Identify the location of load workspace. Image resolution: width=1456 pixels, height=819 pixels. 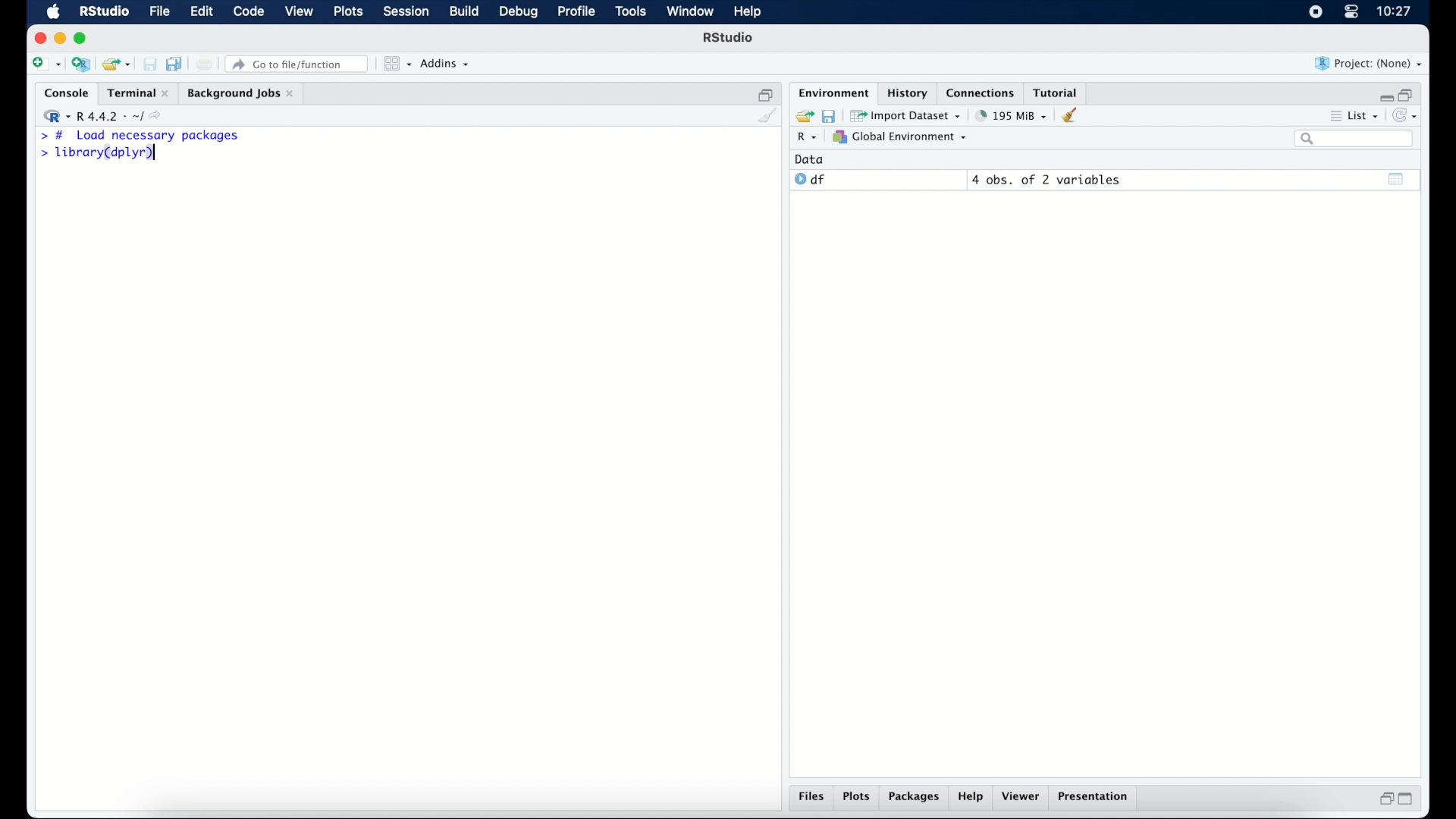
(802, 115).